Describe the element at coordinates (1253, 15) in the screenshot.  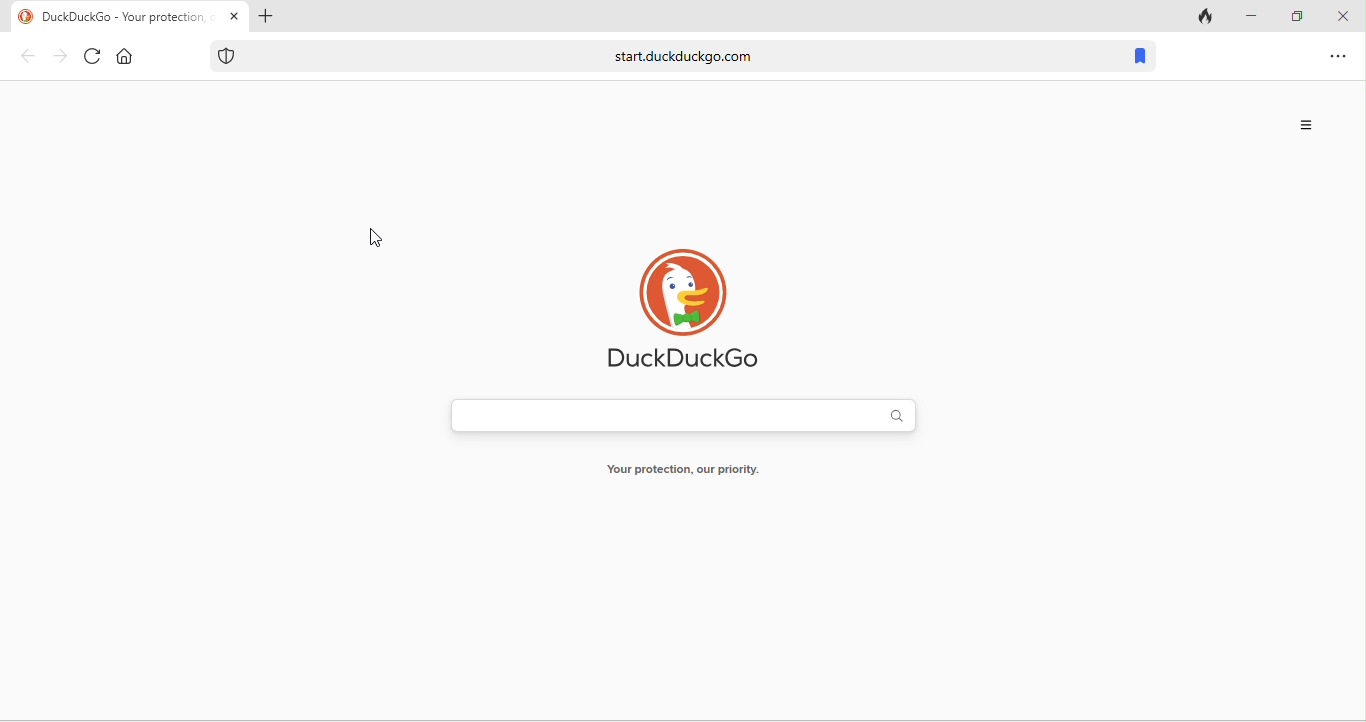
I see `minimize` at that location.